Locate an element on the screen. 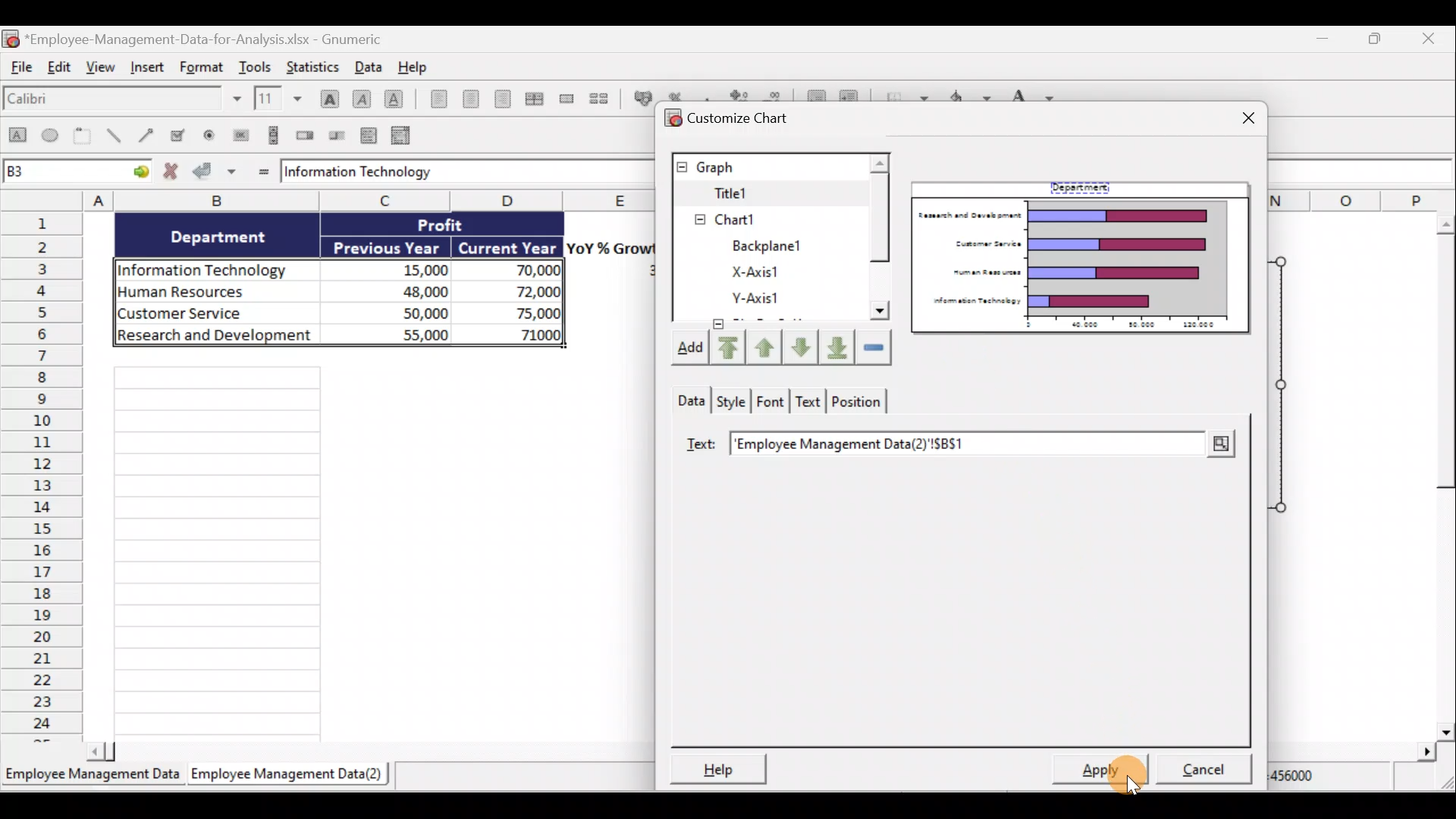 This screenshot has height=819, width=1456. Create a scrollbar is located at coordinates (271, 135).